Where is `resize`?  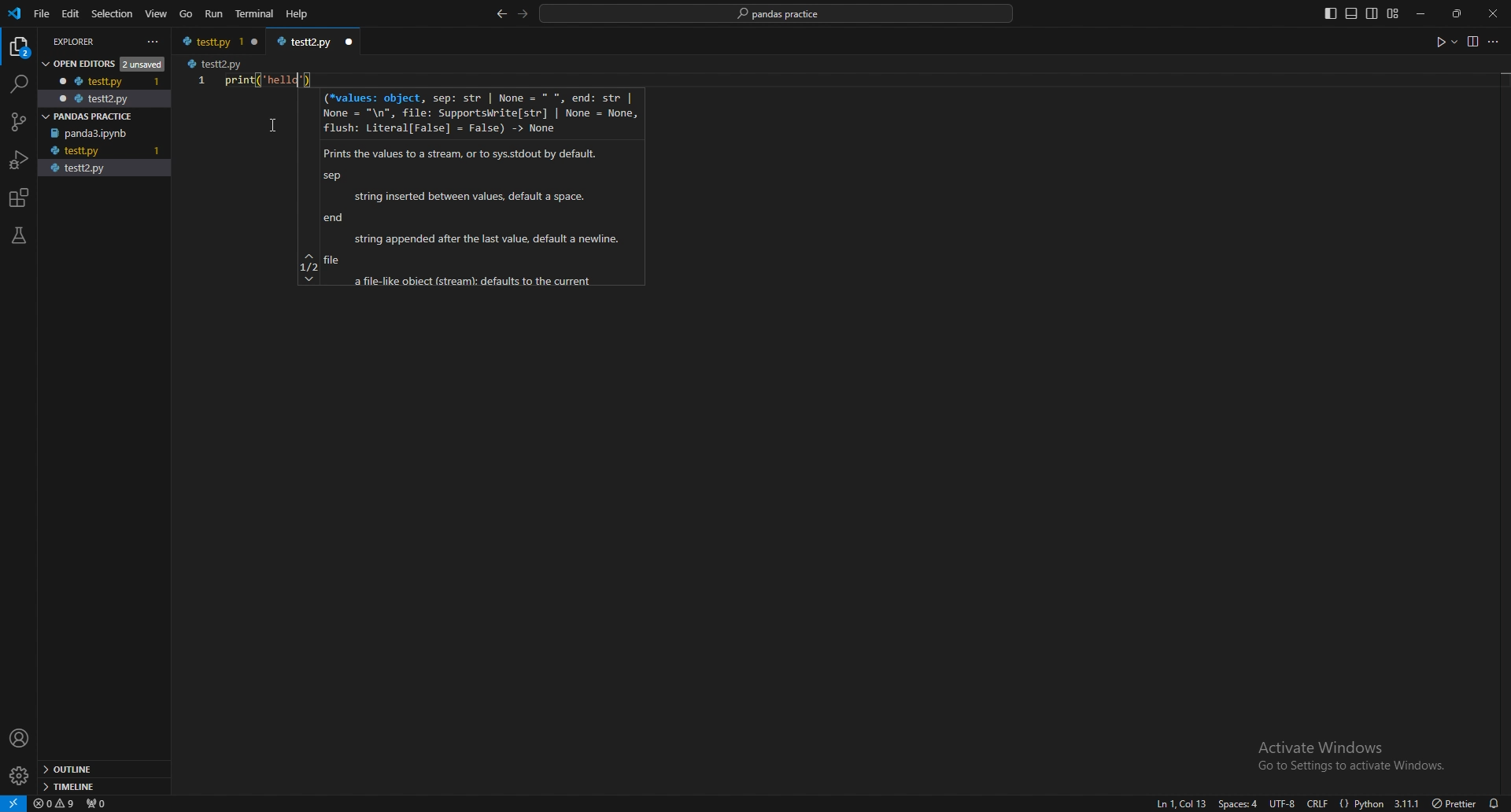 resize is located at coordinates (1459, 13).